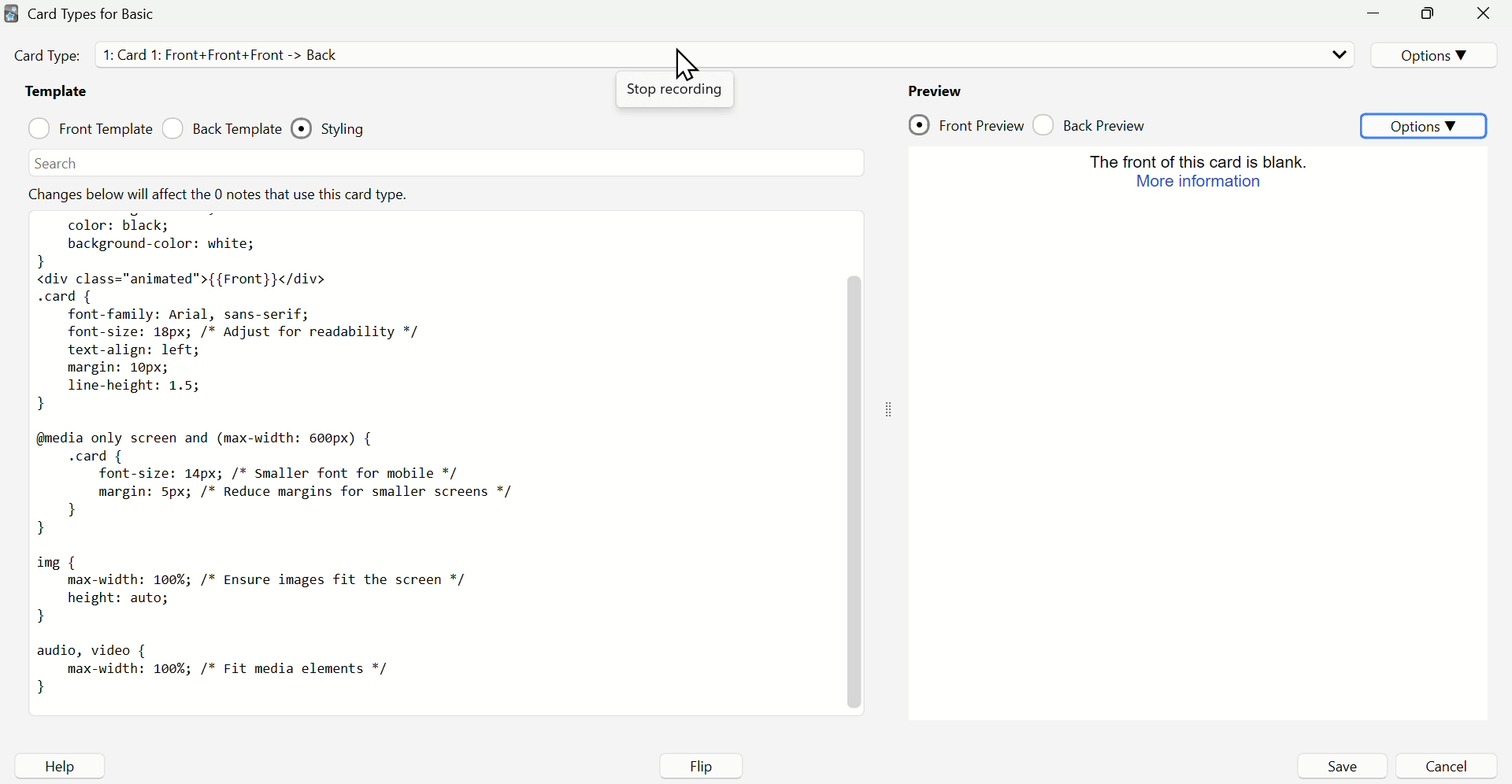  Describe the element at coordinates (1484, 17) in the screenshot. I see `Close` at that location.